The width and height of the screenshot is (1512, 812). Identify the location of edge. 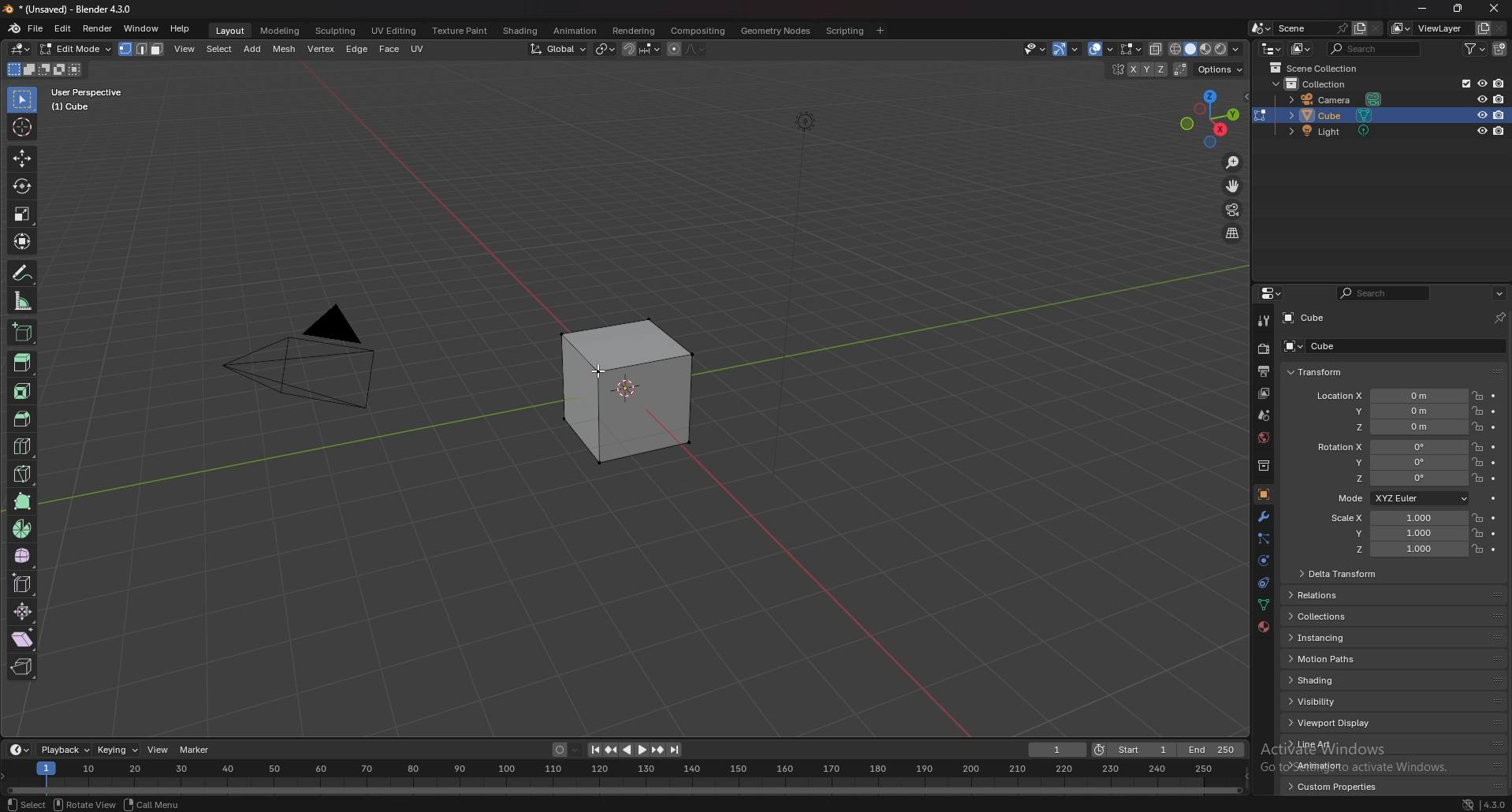
(358, 49).